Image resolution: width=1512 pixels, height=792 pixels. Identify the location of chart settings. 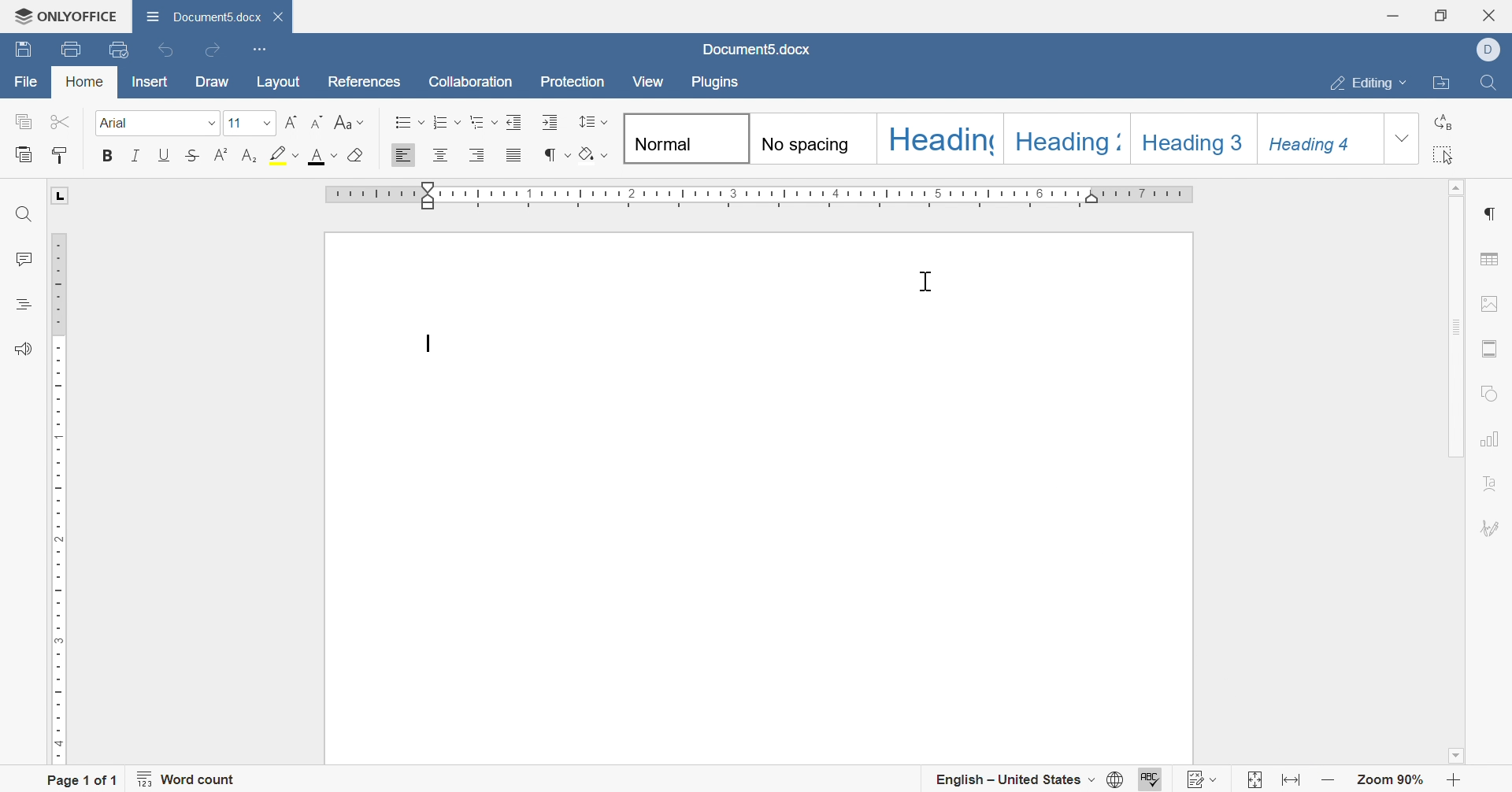
(1492, 439).